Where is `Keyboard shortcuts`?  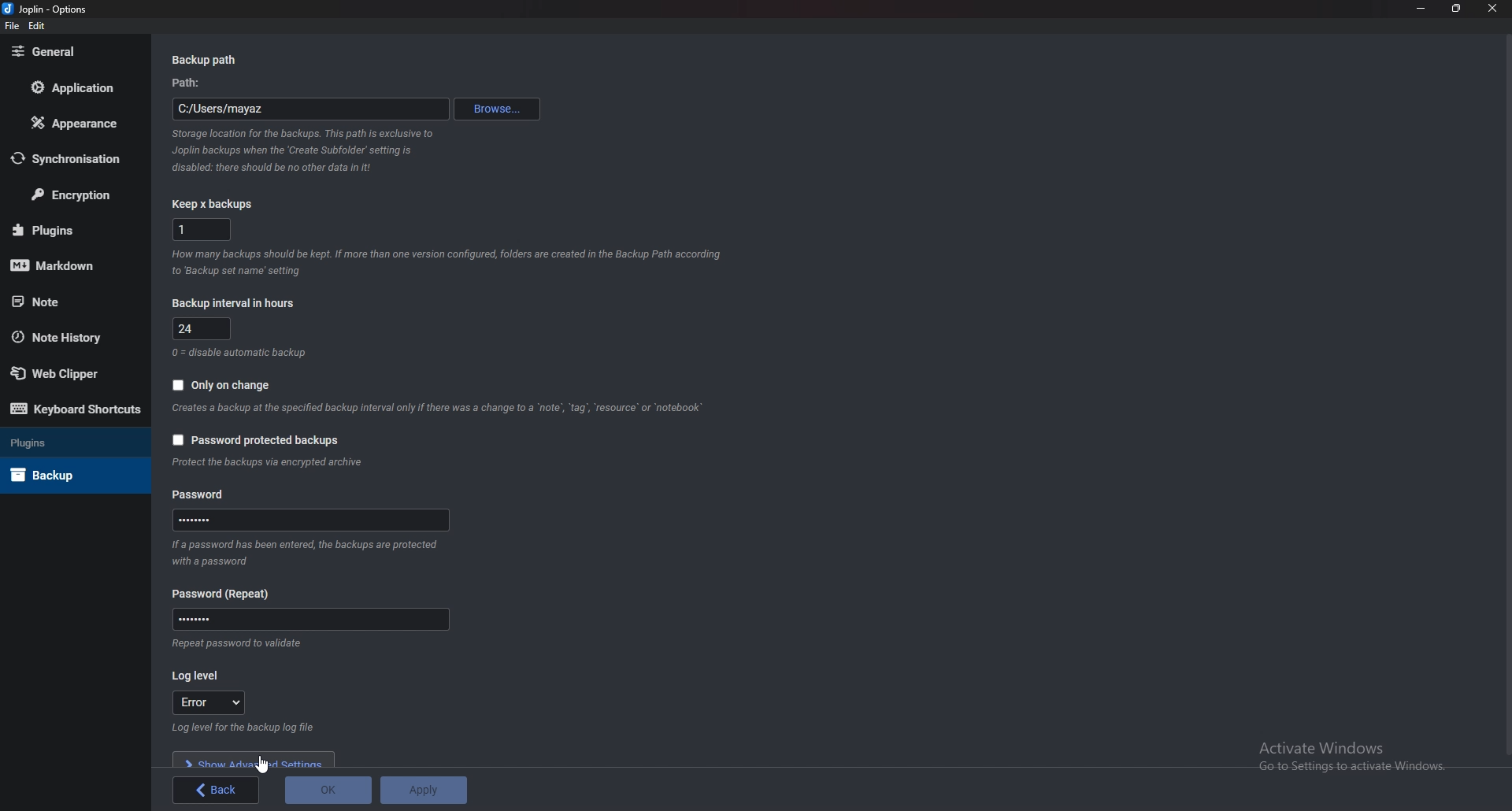
Keyboard shortcuts is located at coordinates (72, 409).